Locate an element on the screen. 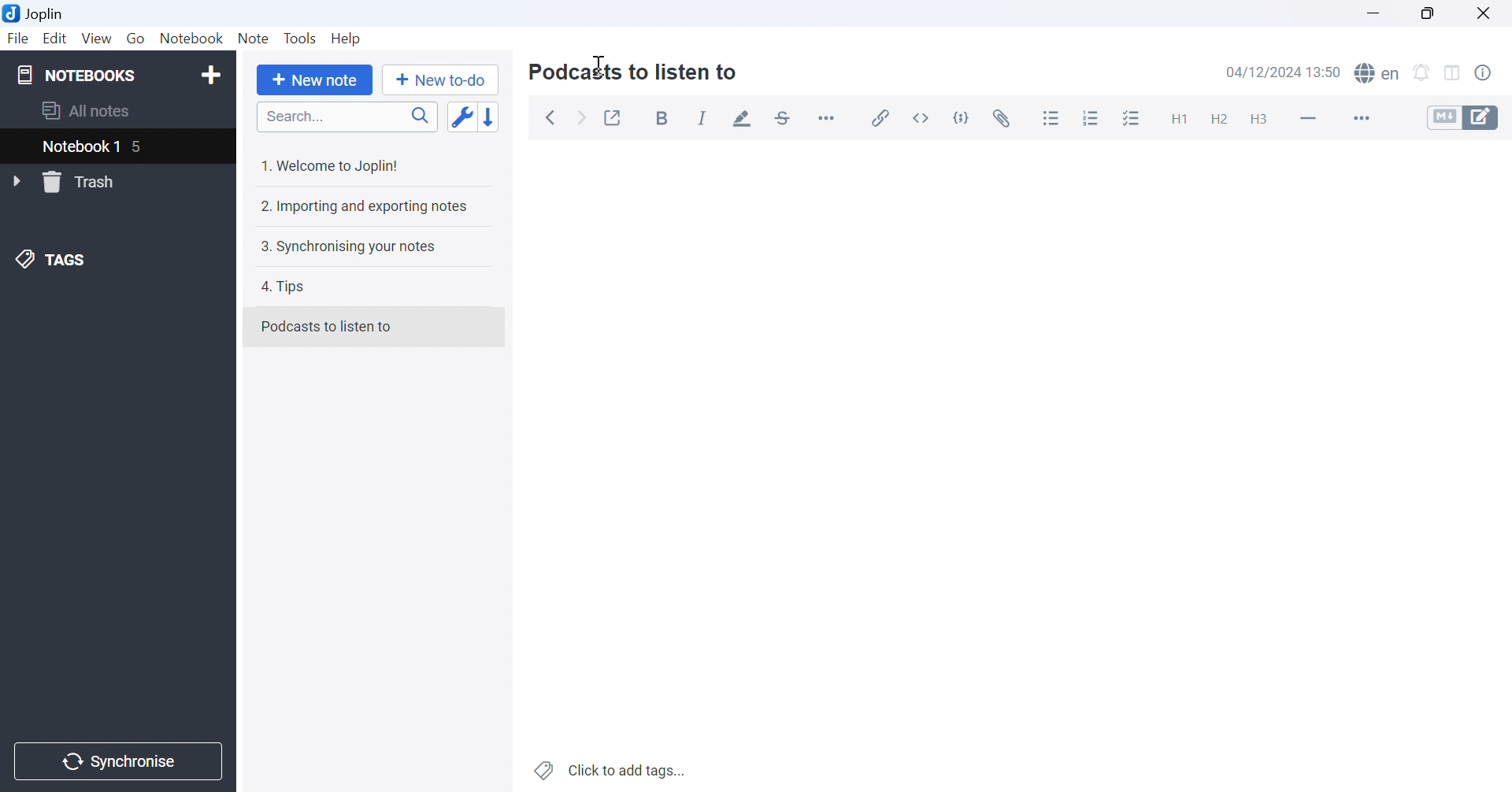  Checkbox list is located at coordinates (1133, 118).